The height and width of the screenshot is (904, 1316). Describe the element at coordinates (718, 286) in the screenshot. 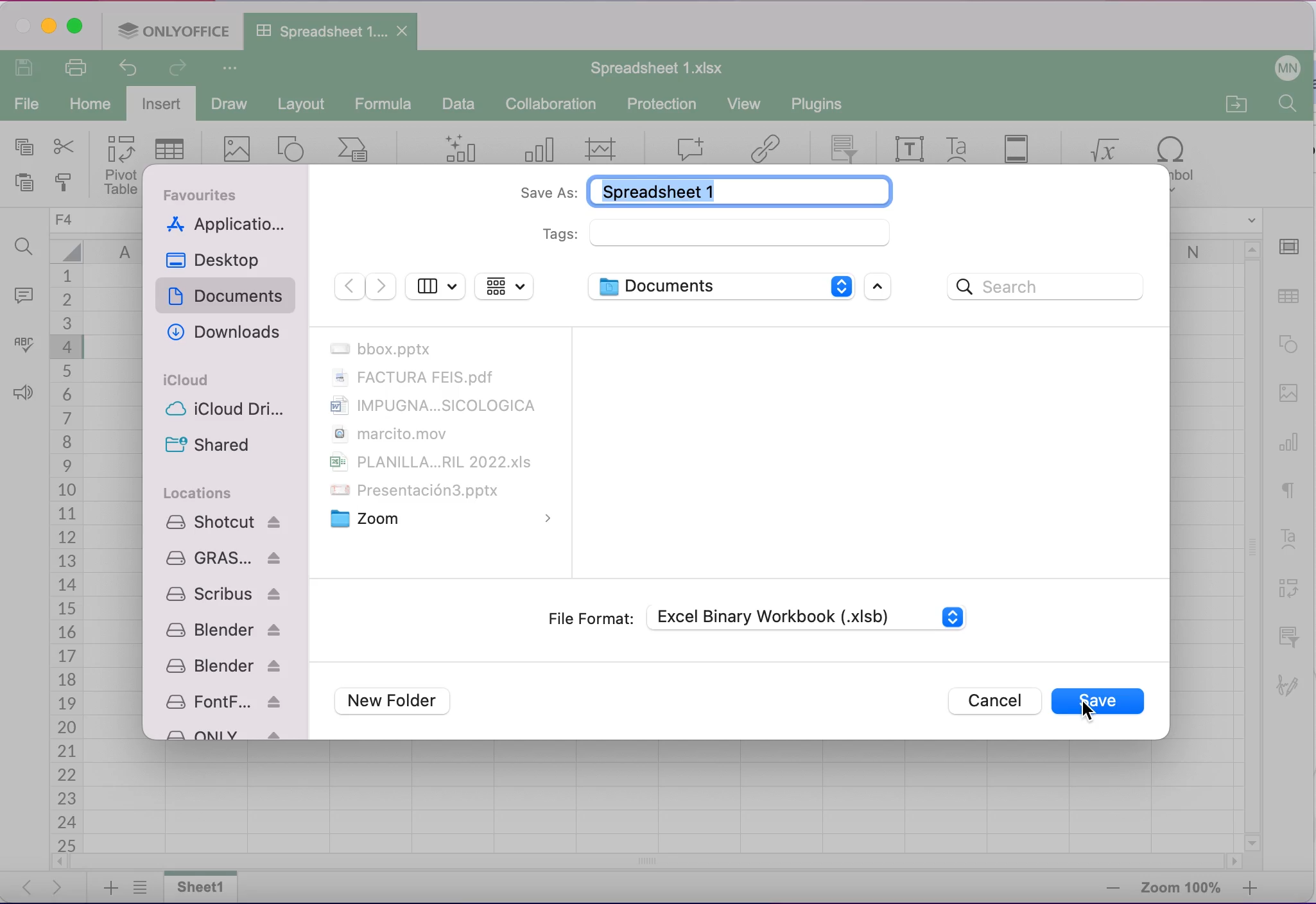

I see `documents dropdown` at that location.